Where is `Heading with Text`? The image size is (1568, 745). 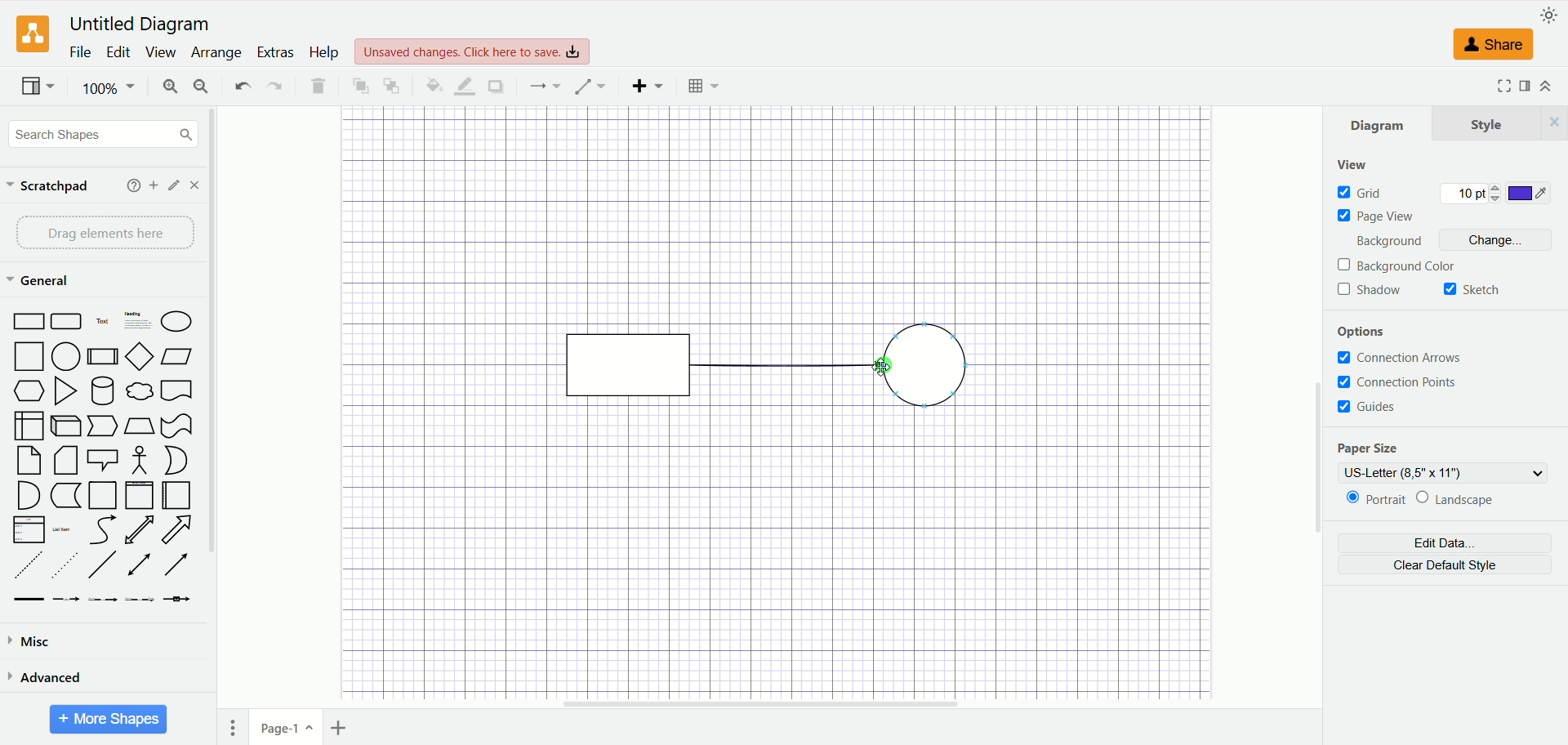 Heading with Text is located at coordinates (139, 323).